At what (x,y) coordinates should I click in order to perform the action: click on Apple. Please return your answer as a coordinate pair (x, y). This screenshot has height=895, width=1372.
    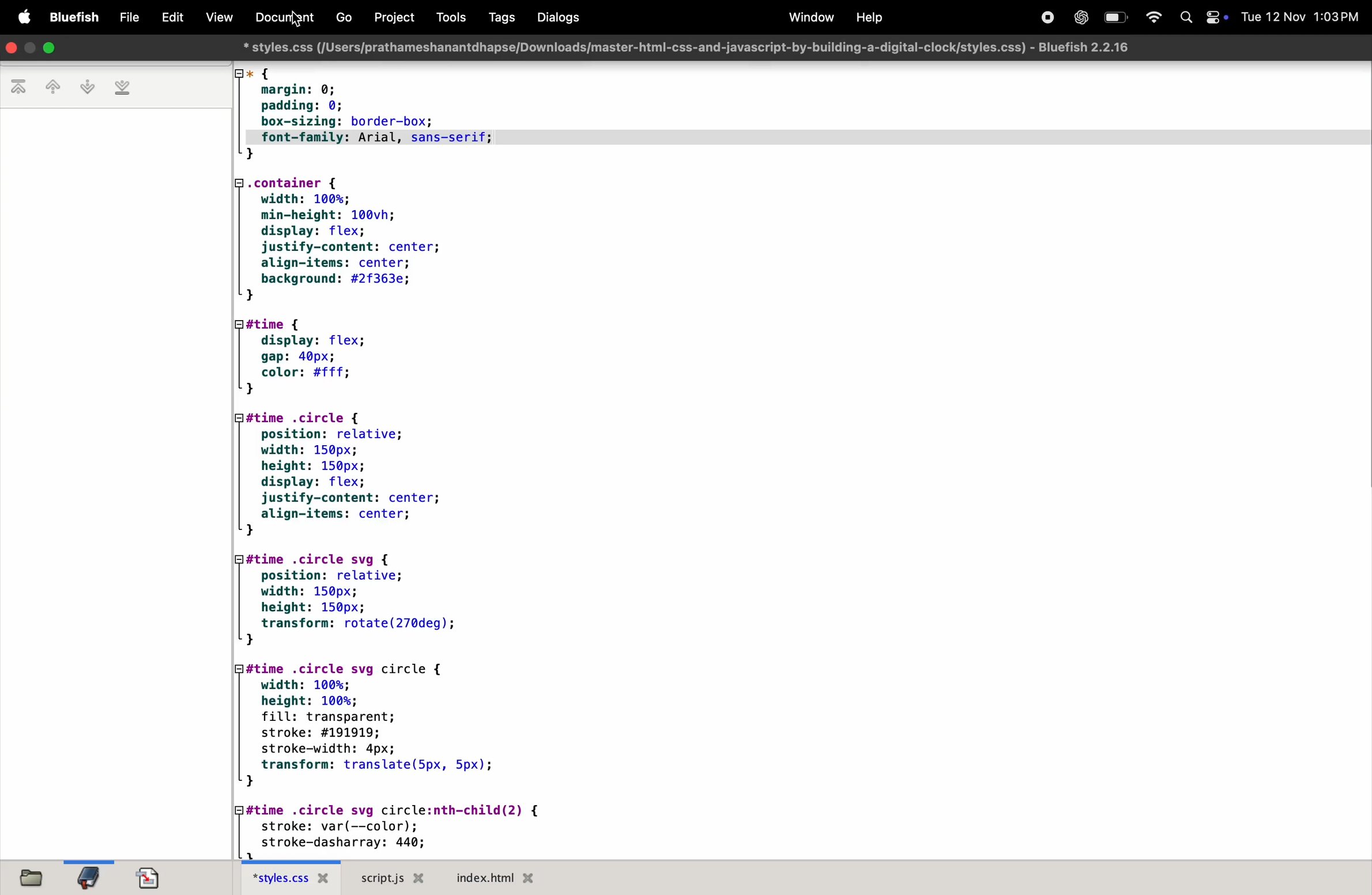
    Looking at the image, I should click on (19, 16).